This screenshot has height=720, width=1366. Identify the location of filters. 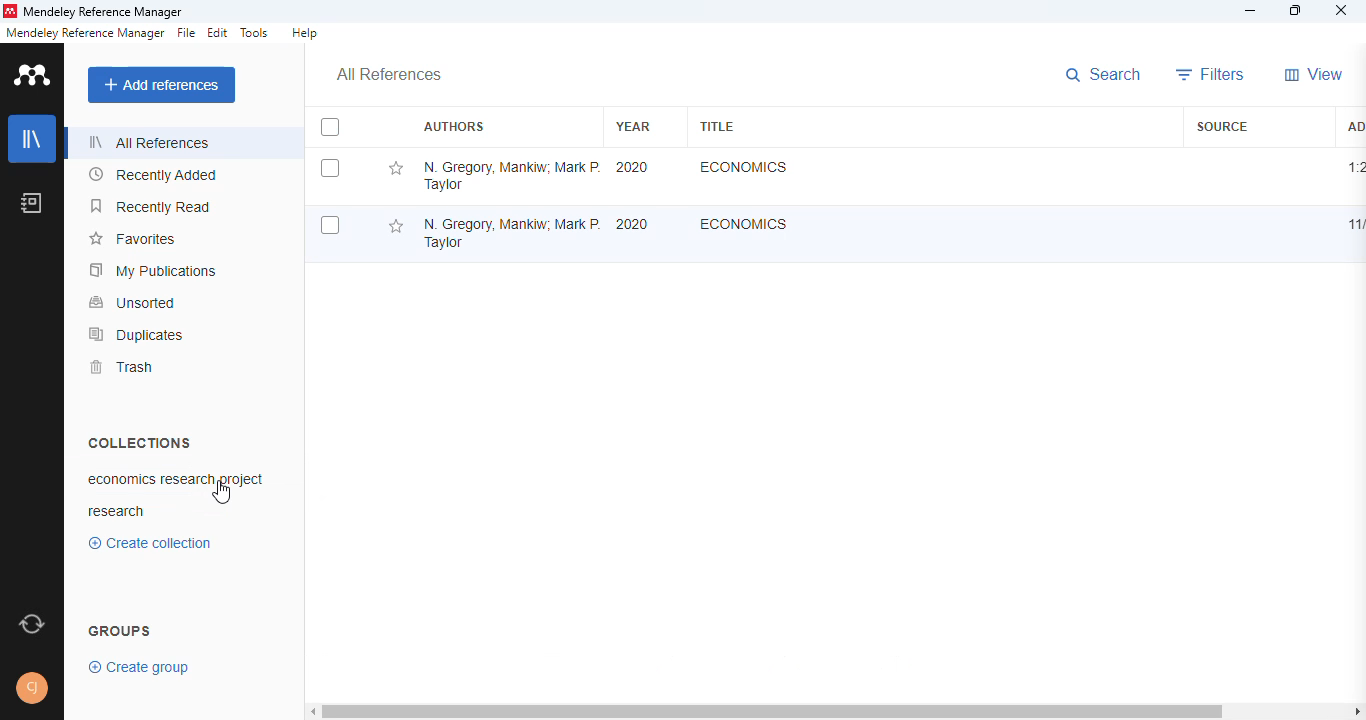
(1211, 74).